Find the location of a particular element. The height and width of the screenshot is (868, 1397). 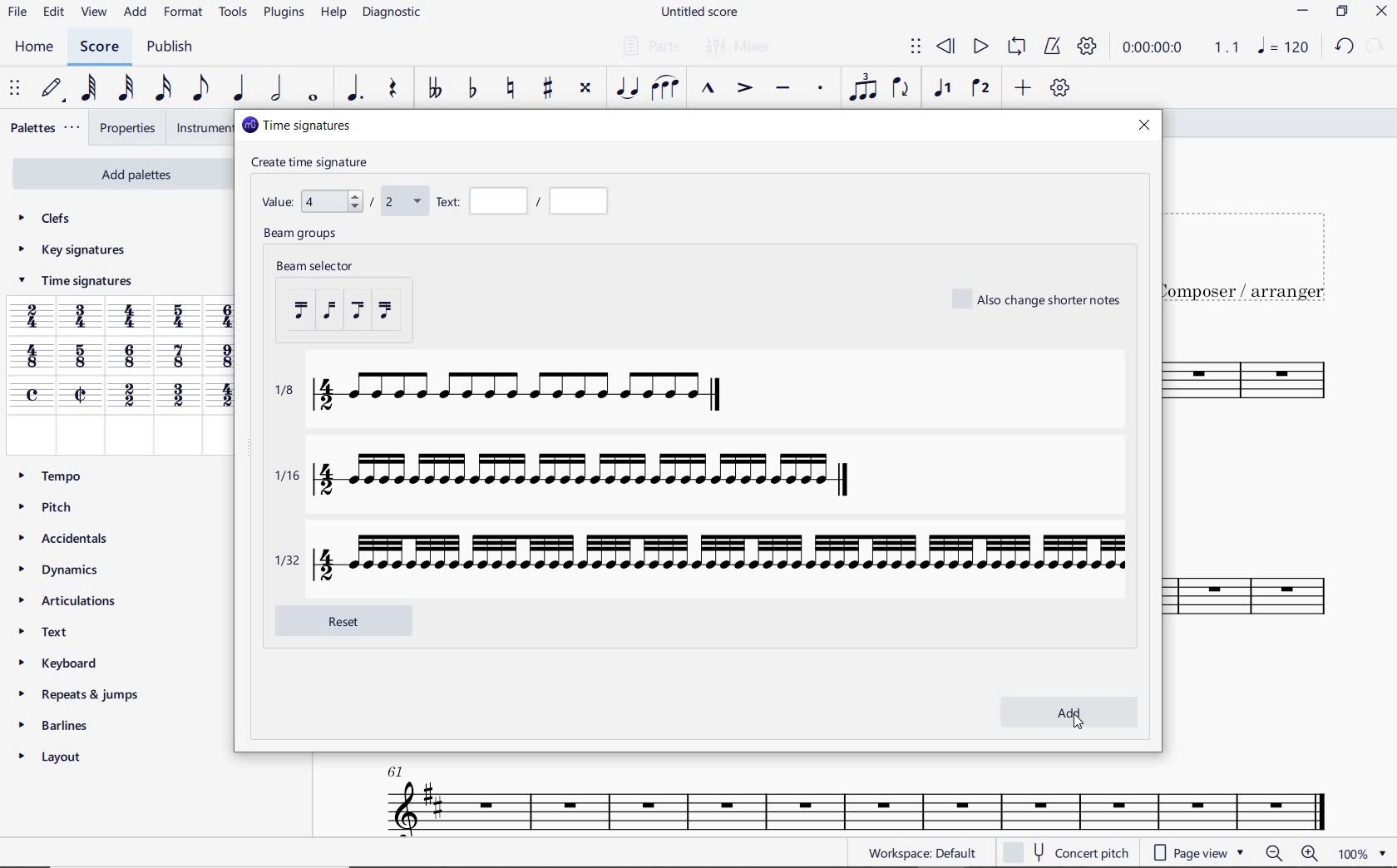

ADD is located at coordinates (136, 13).